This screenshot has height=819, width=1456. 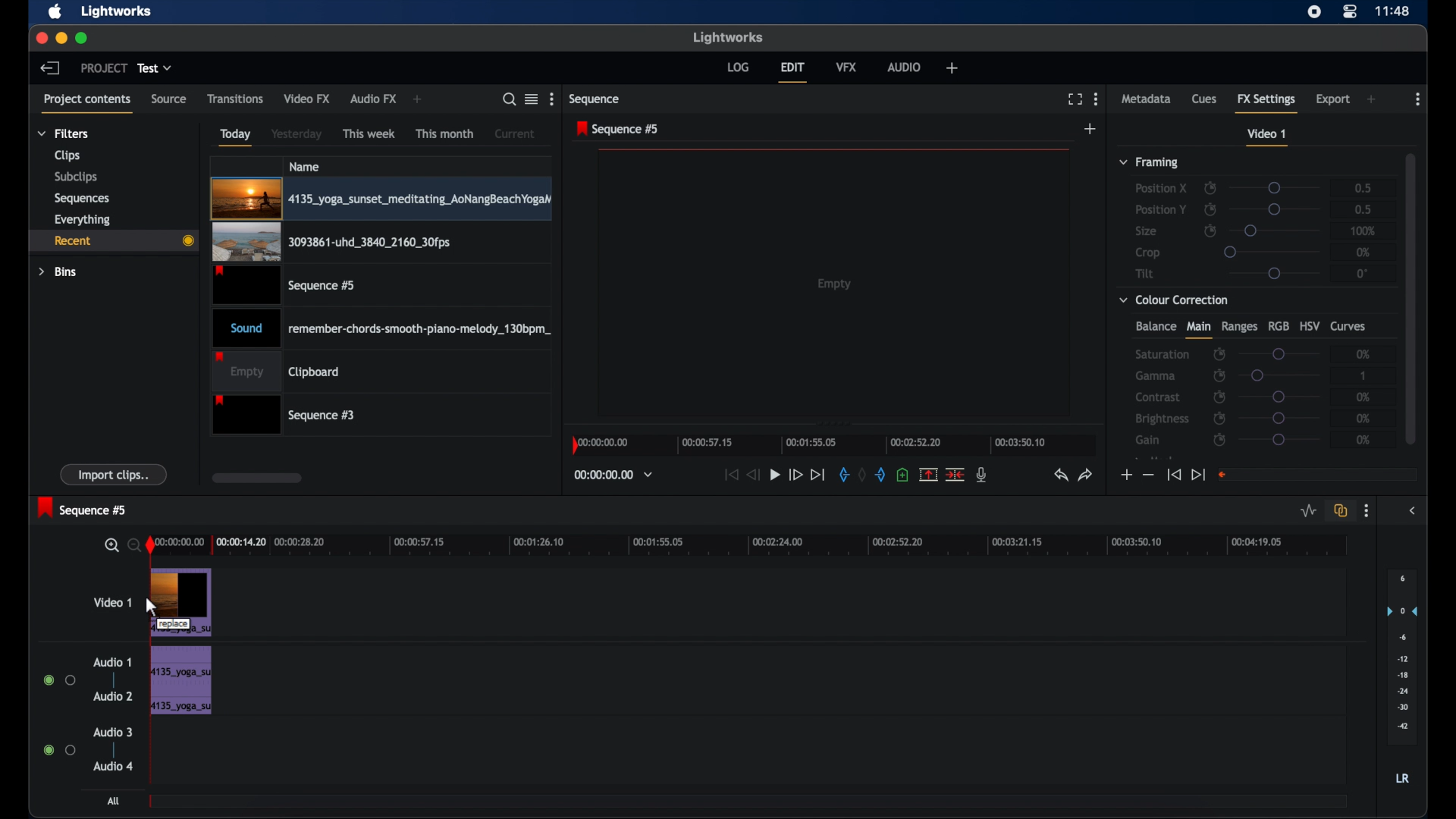 I want to click on minimize, so click(x=58, y=38).